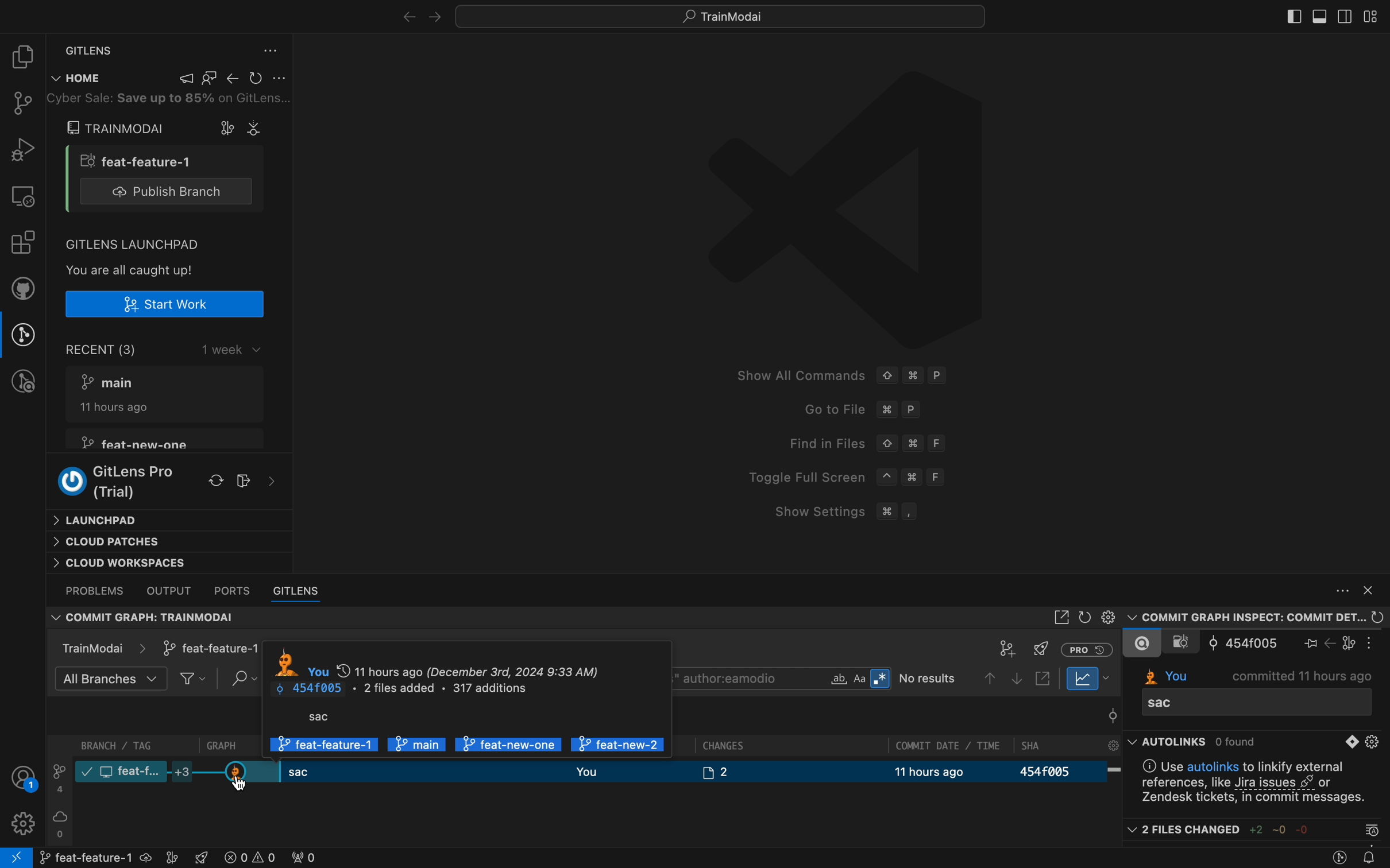 Image resolution: width=1390 pixels, height=868 pixels. What do you see at coordinates (233, 77) in the screenshot?
I see `` at bounding box center [233, 77].